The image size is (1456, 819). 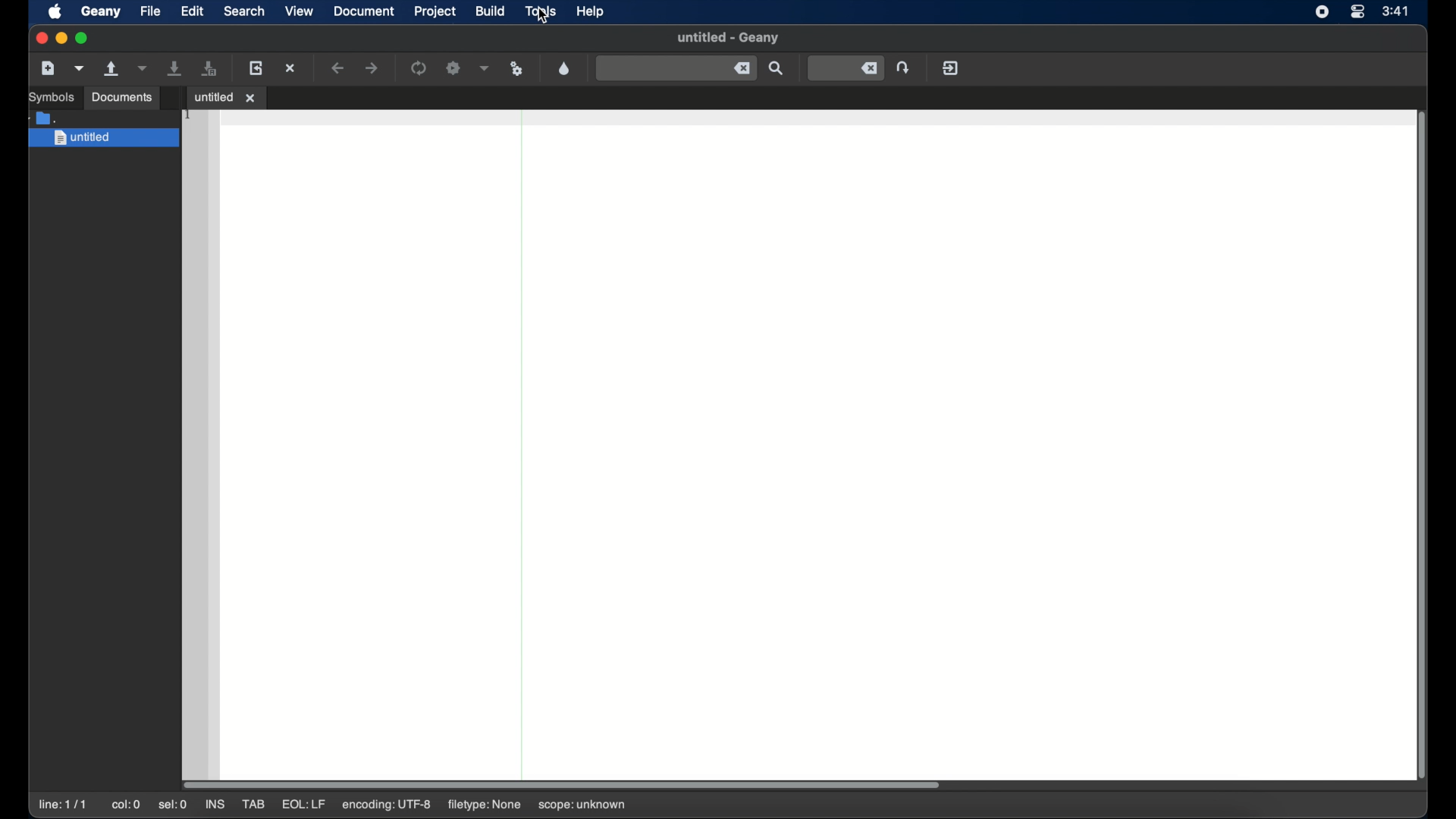 I want to click on load the current file from disk, so click(x=256, y=69).